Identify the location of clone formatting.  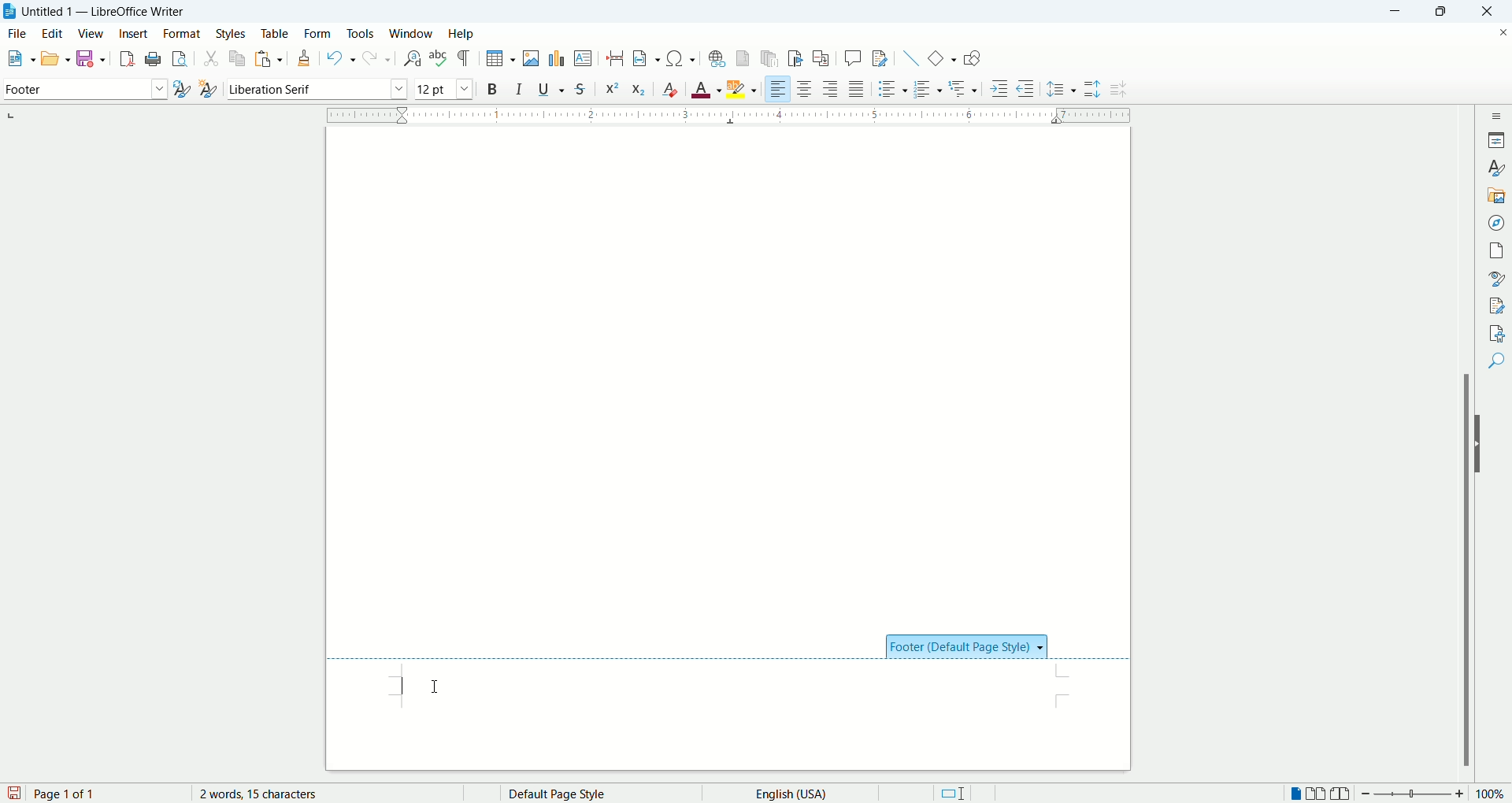
(306, 59).